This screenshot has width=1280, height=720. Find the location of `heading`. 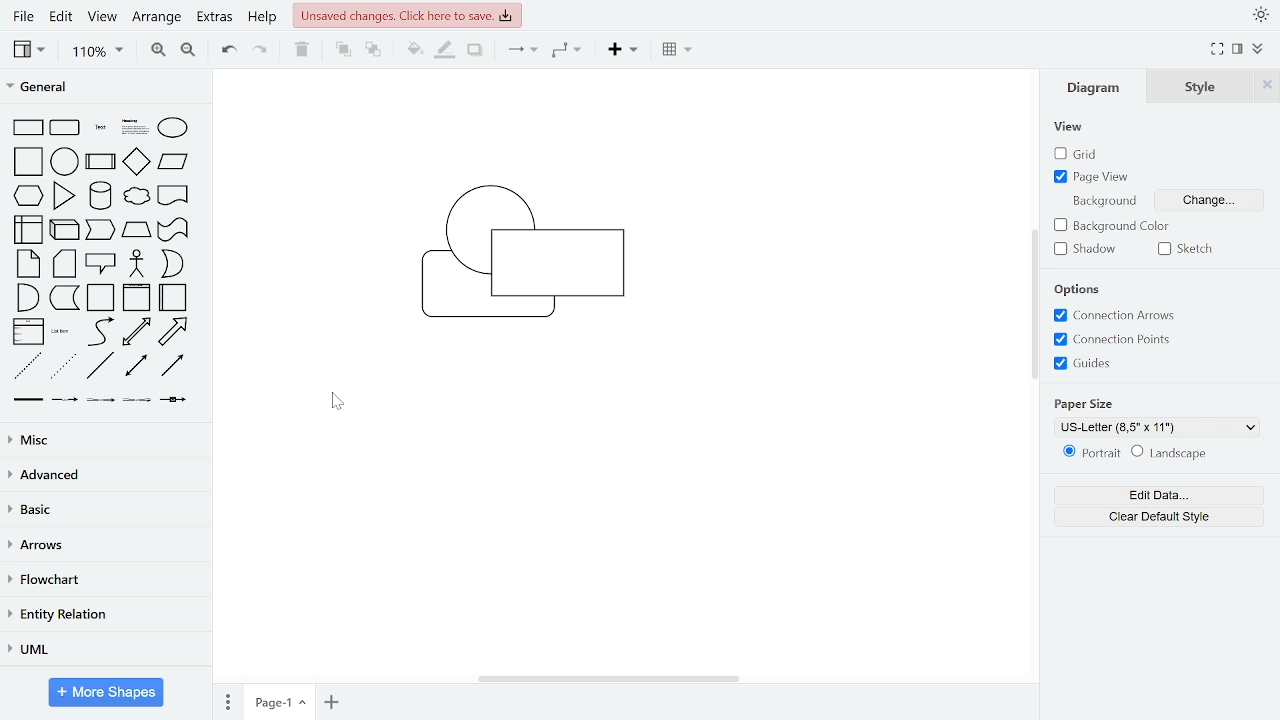

heading is located at coordinates (134, 127).